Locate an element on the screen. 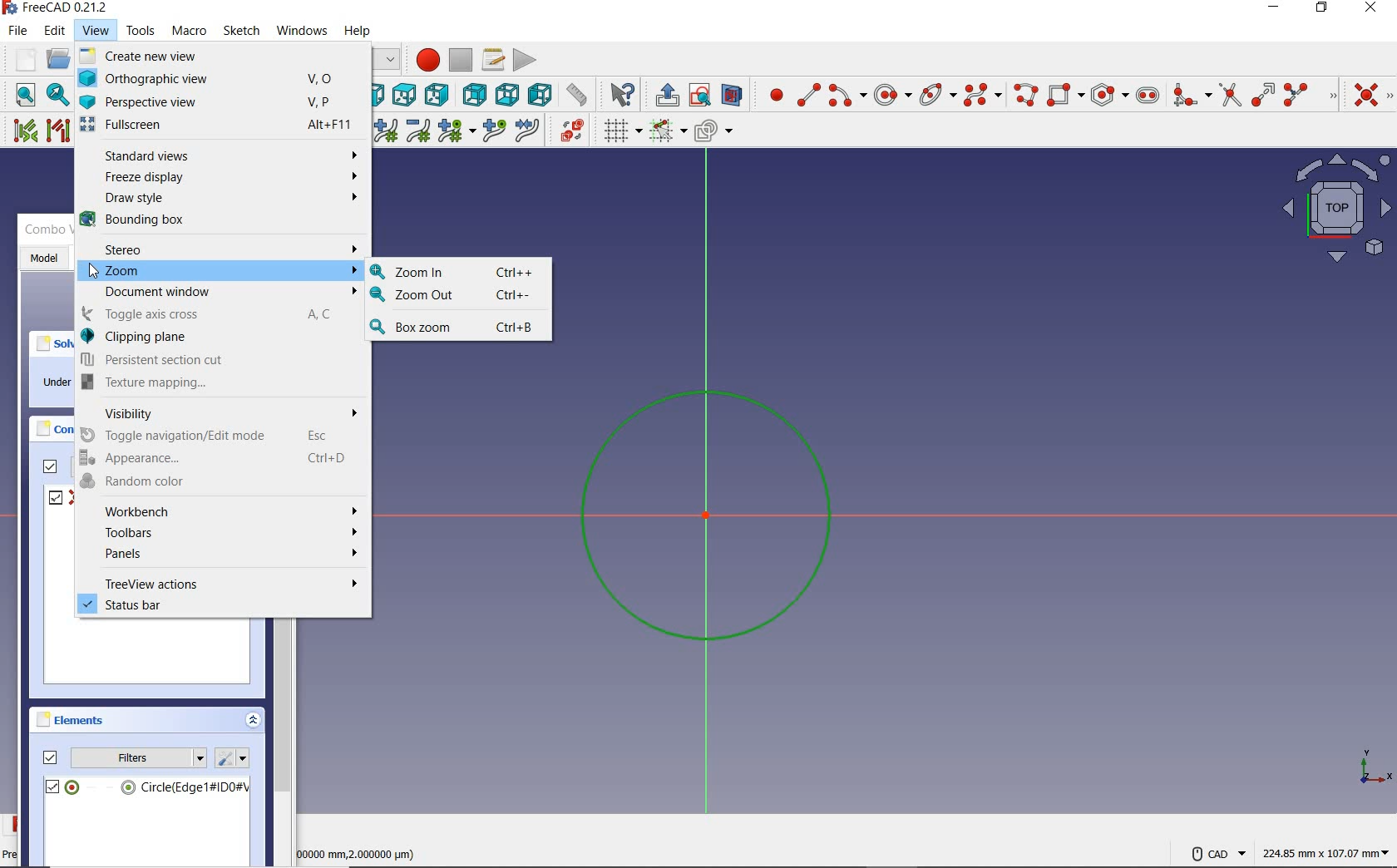 This screenshot has height=868, width=1397. extend edge is located at coordinates (1263, 93).